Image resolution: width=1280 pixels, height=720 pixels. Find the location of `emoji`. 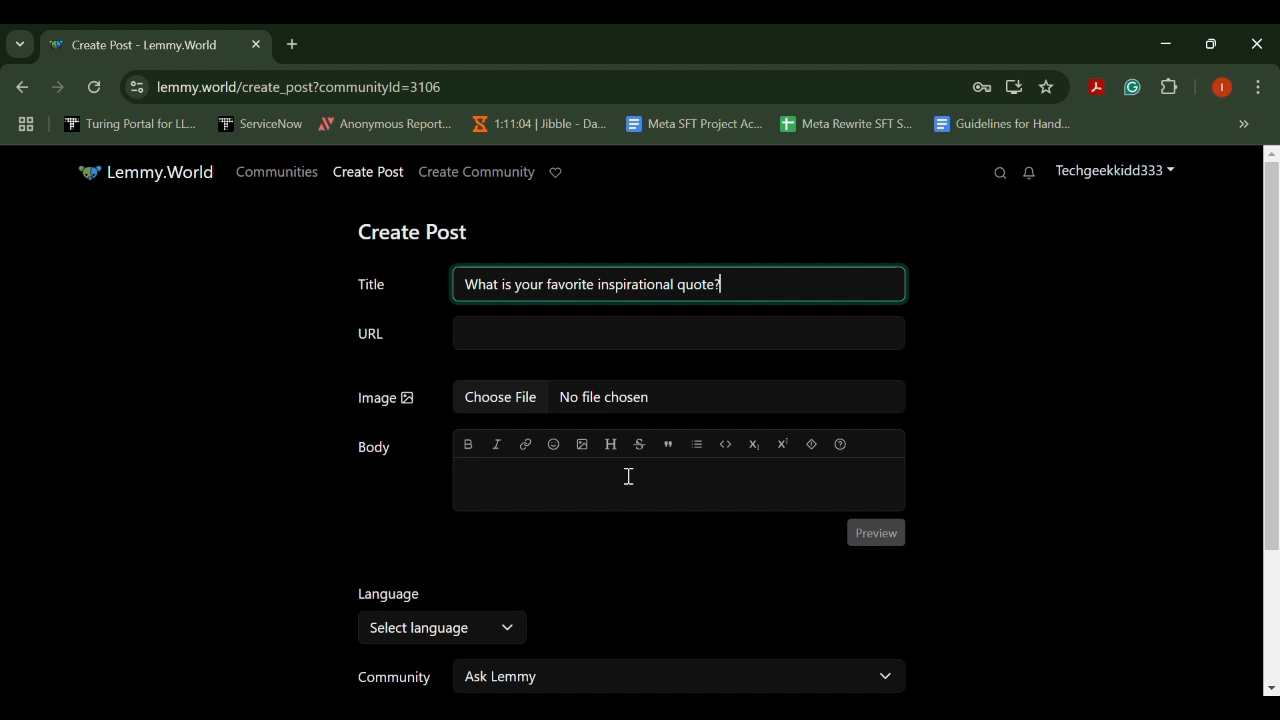

emoji is located at coordinates (552, 444).